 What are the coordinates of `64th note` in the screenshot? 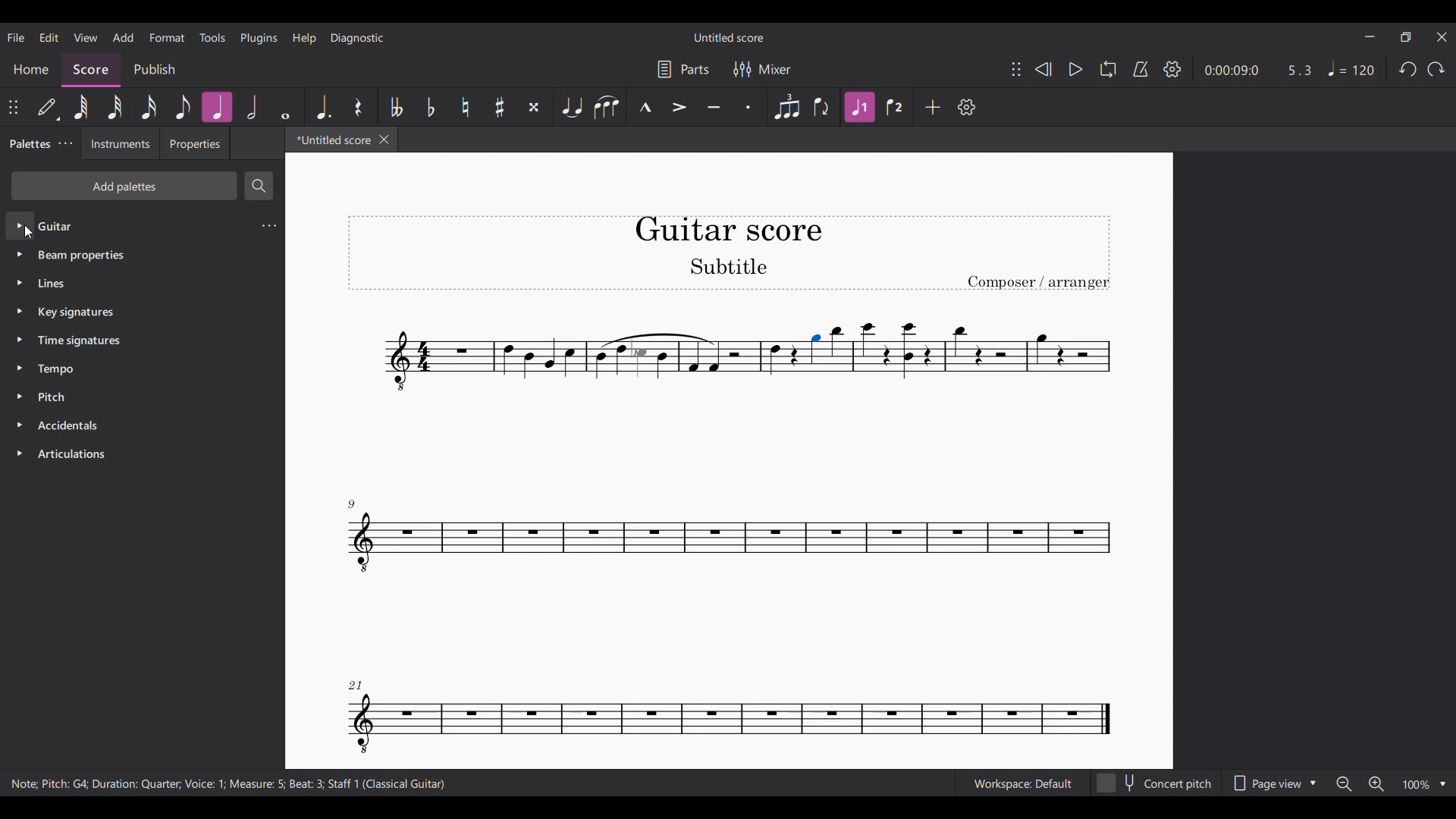 It's located at (81, 107).